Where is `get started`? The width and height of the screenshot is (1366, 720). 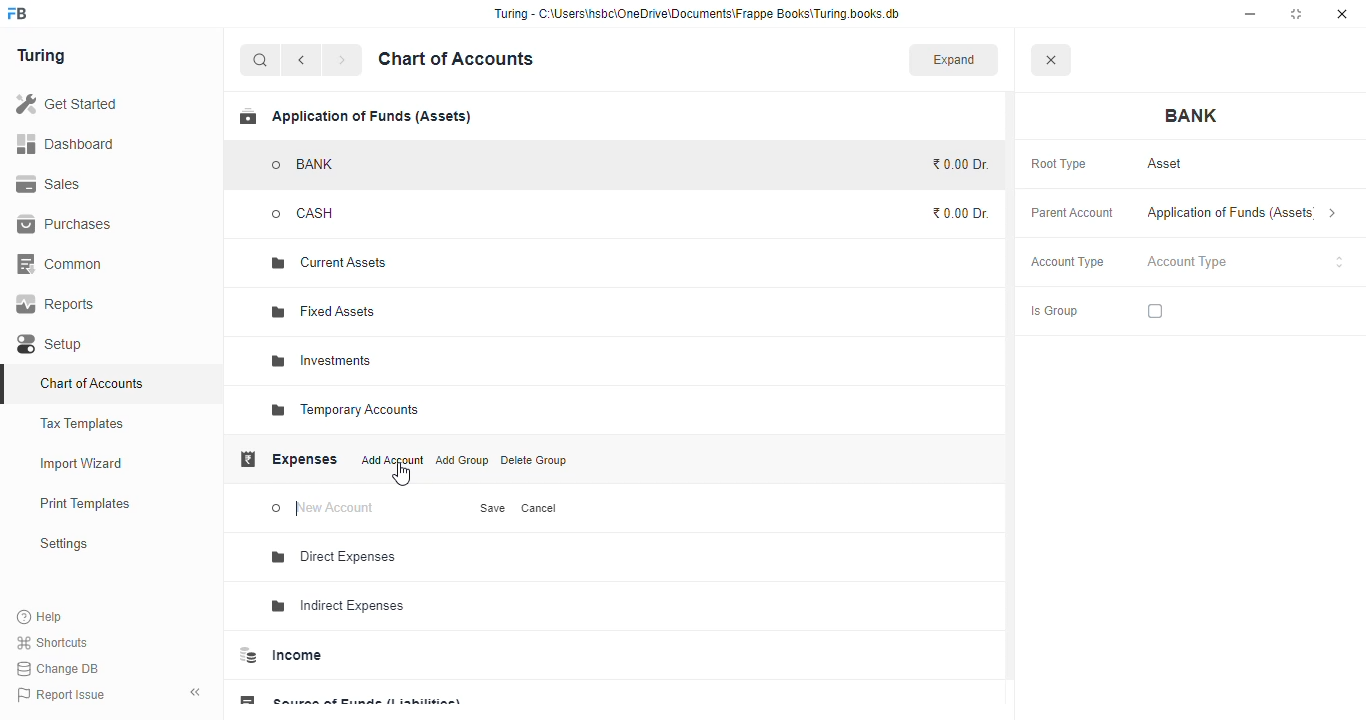 get started is located at coordinates (66, 103).